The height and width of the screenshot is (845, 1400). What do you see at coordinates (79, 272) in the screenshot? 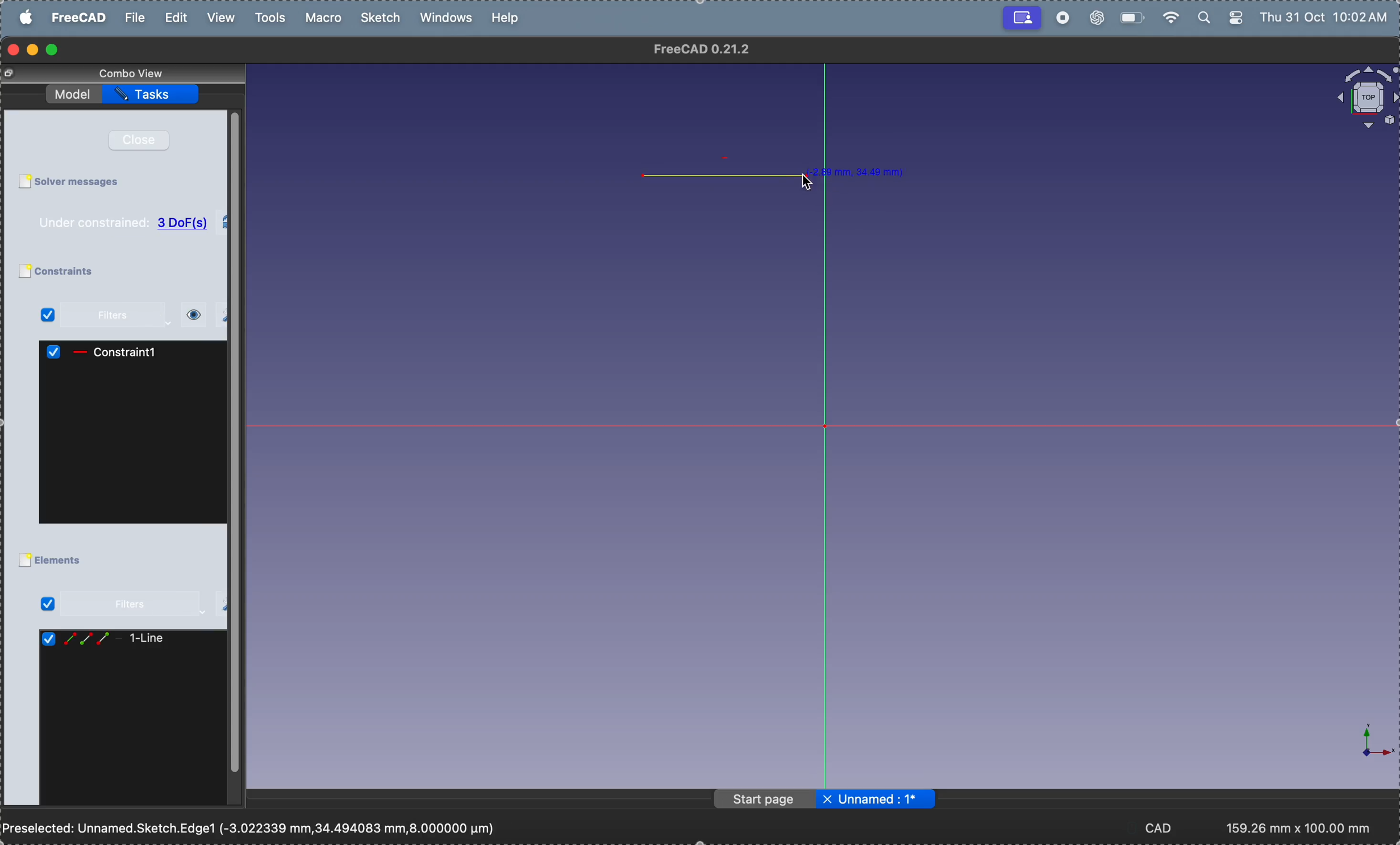
I see `constraints` at bounding box center [79, 272].